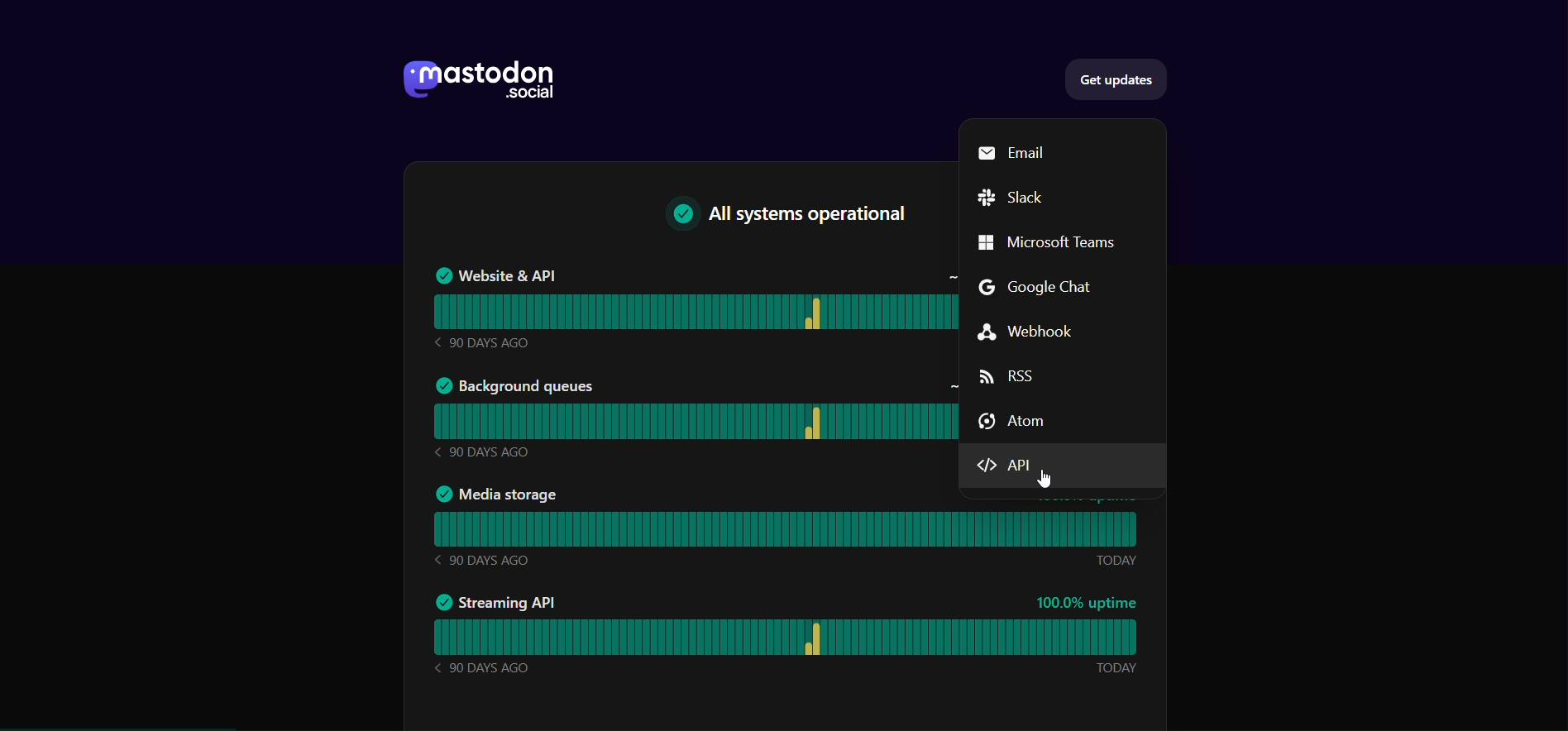  Describe the element at coordinates (1120, 79) in the screenshot. I see `get updates` at that location.